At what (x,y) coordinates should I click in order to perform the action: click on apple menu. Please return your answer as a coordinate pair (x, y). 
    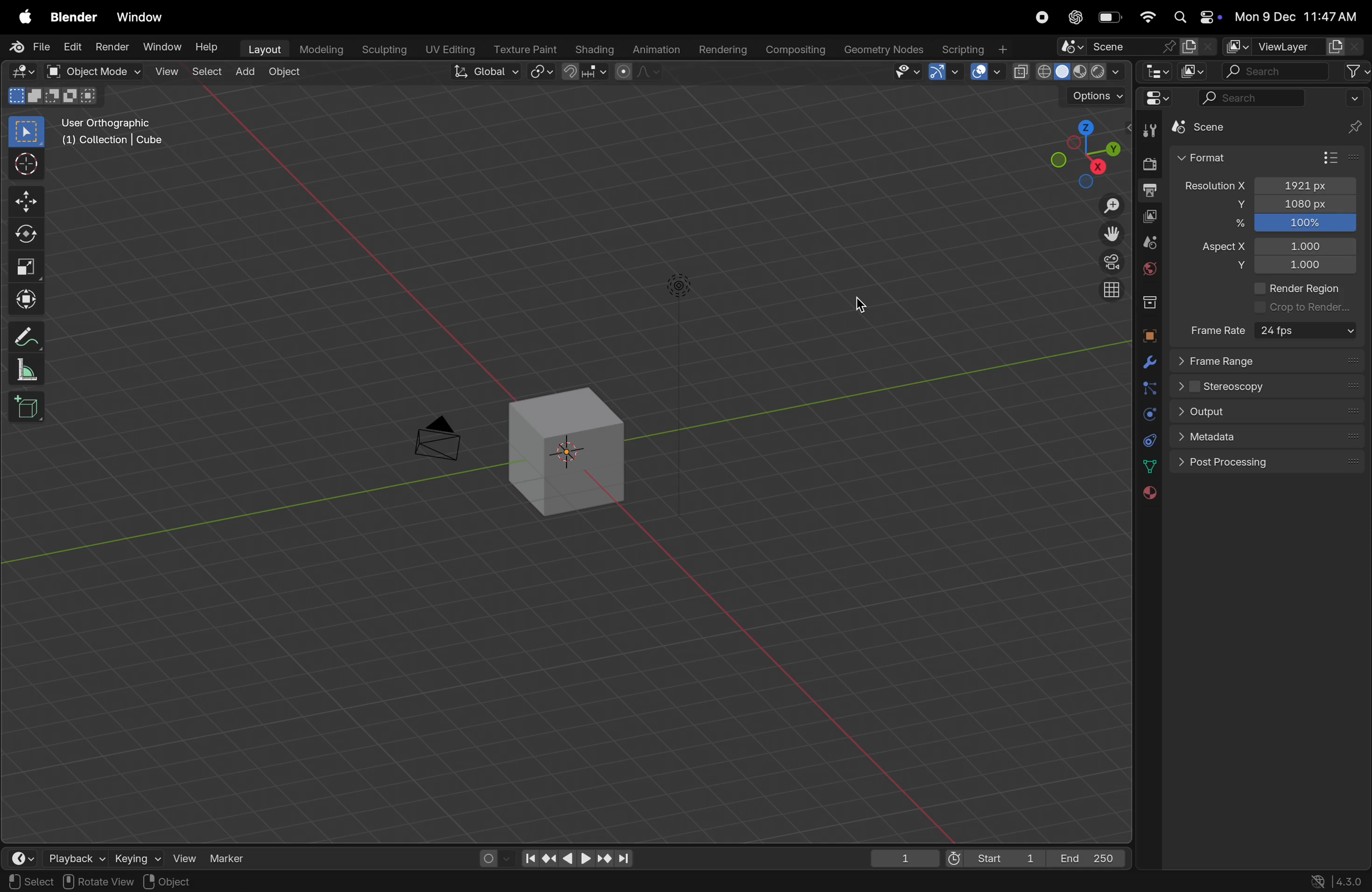
    Looking at the image, I should click on (24, 17).